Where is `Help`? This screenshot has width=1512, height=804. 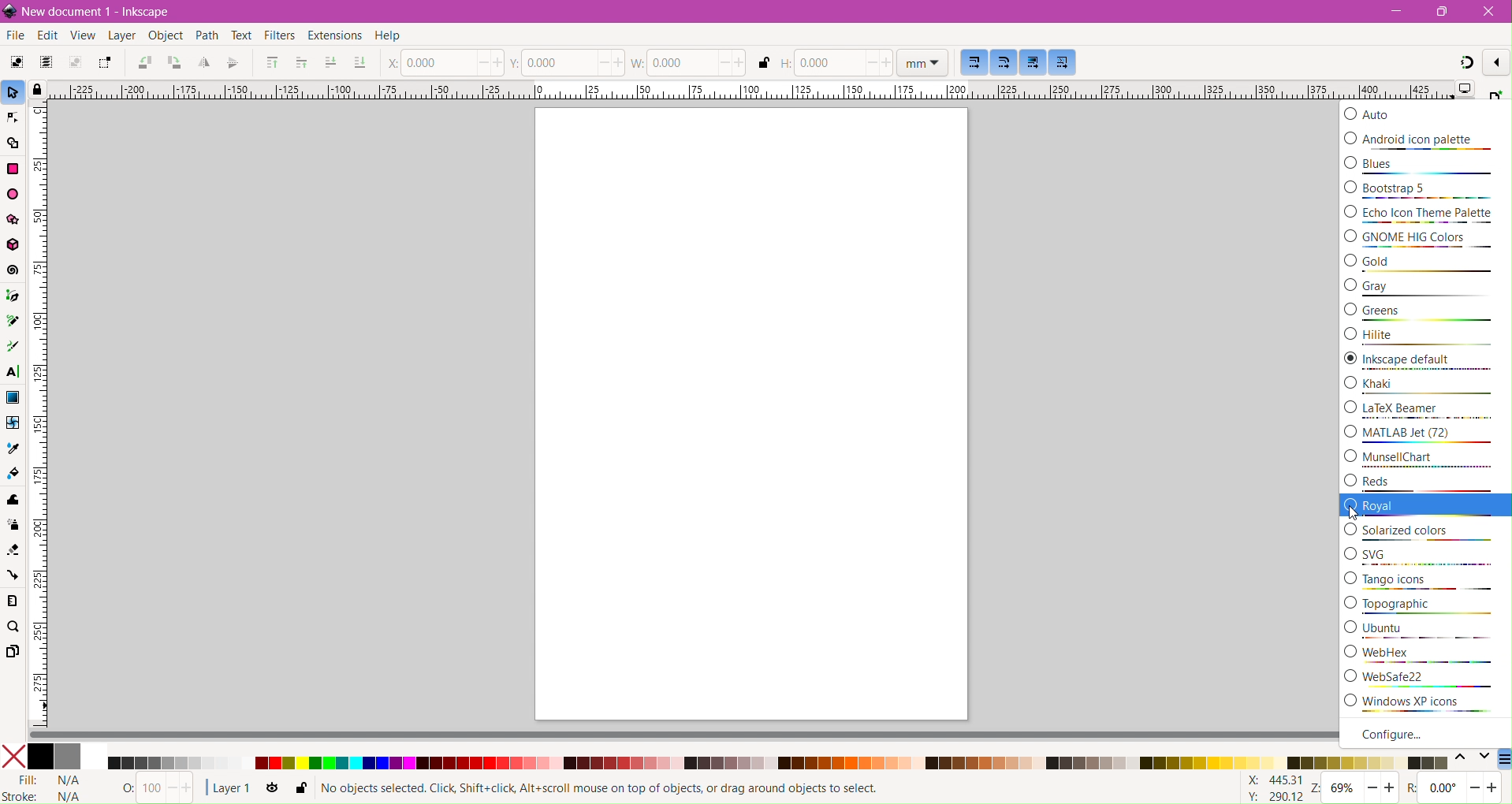
Help is located at coordinates (397, 36).